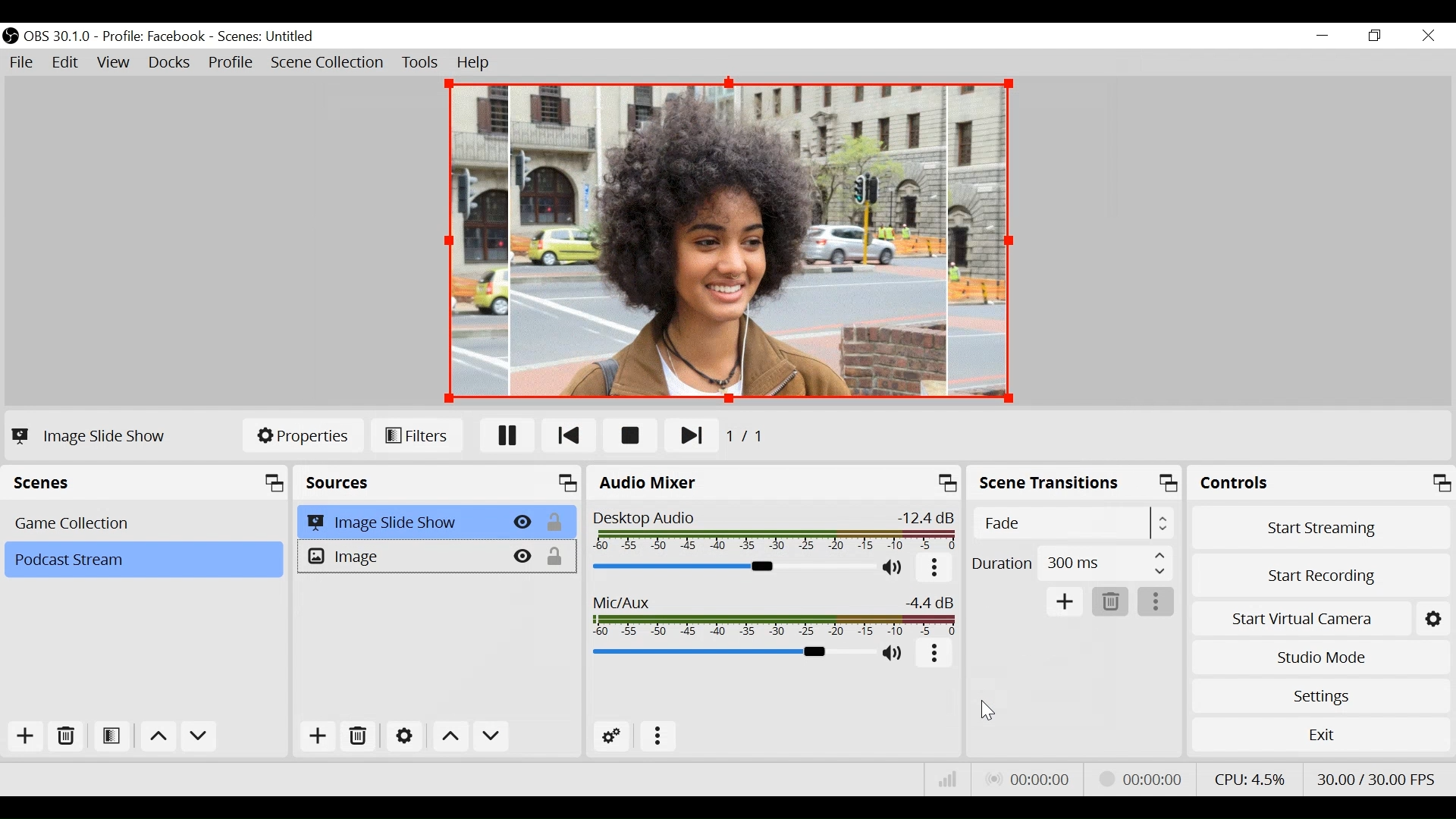 The height and width of the screenshot is (819, 1456). I want to click on Select Scene Transition, so click(1075, 524).